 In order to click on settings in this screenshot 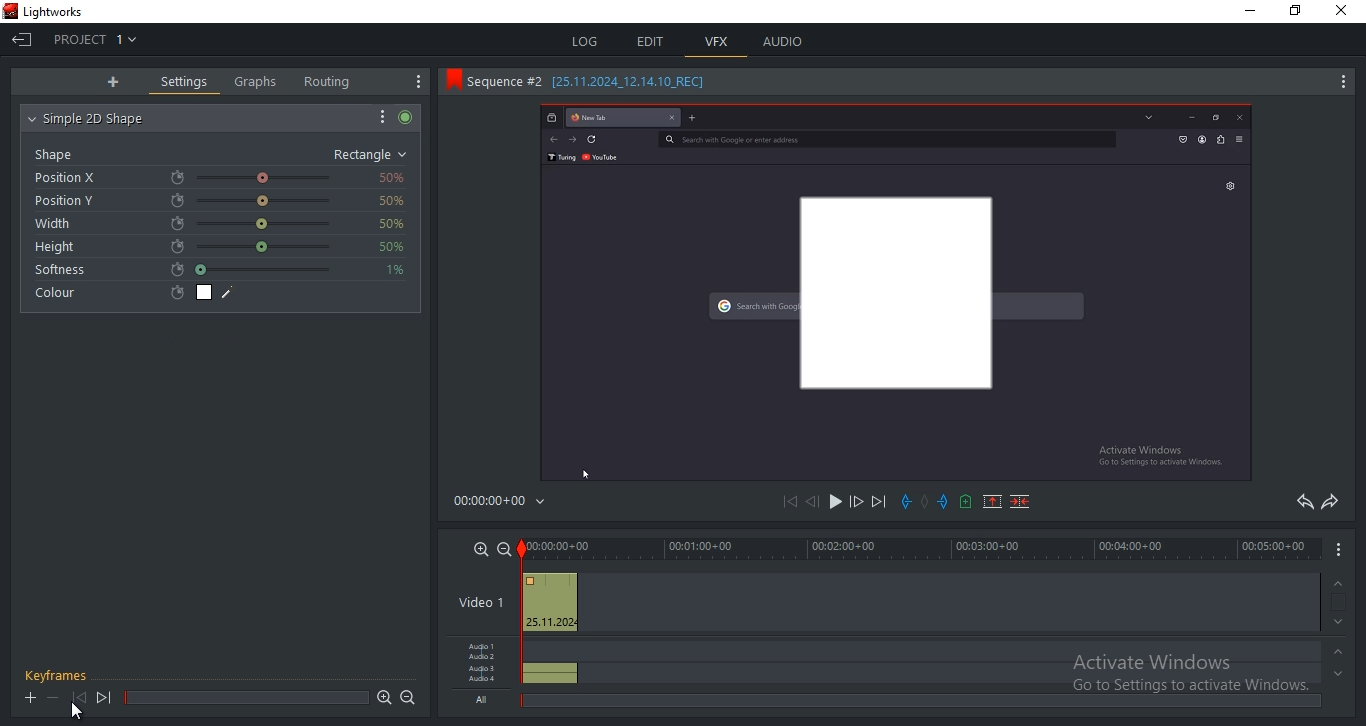, I will do `click(184, 81)`.